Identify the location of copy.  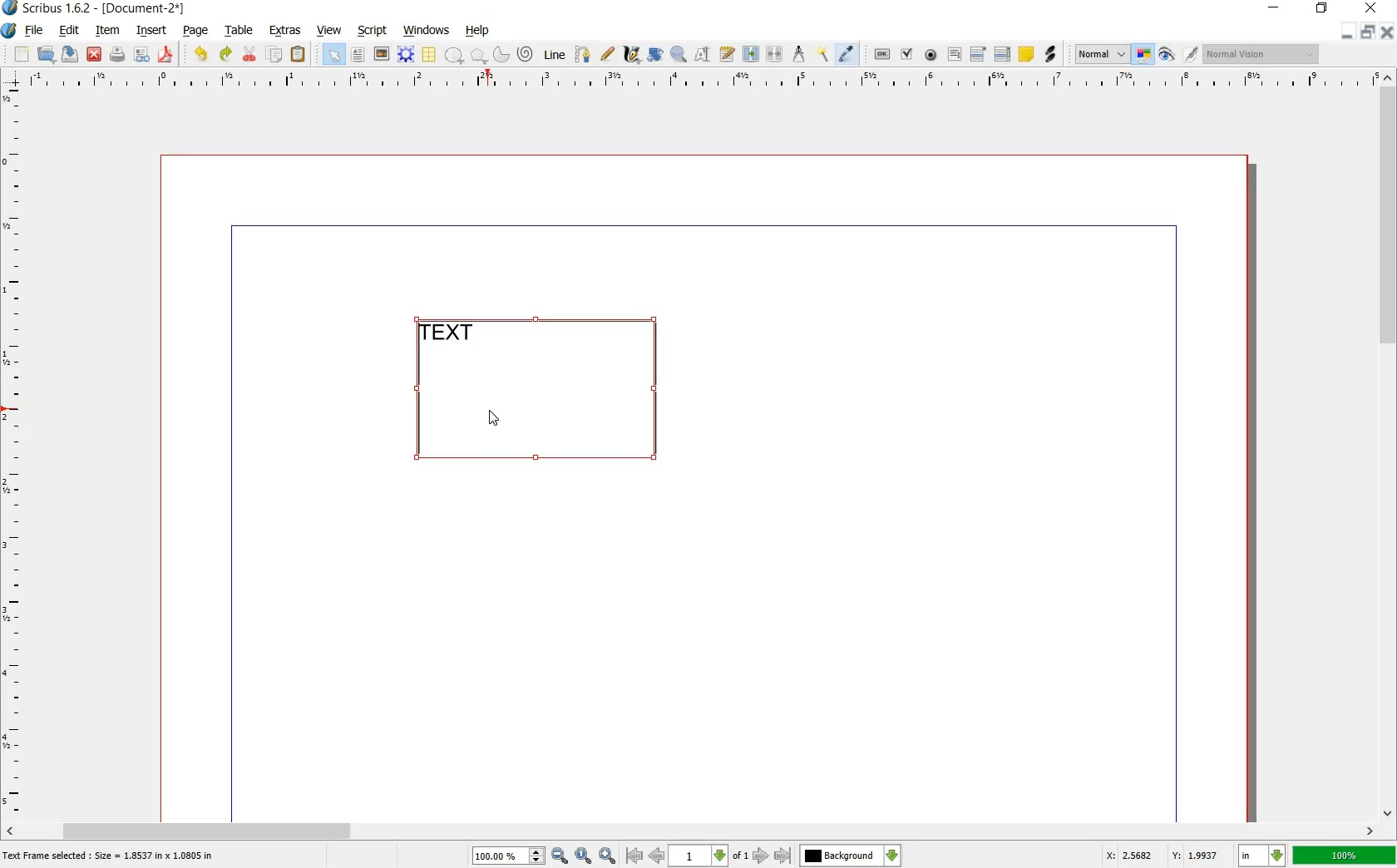
(275, 55).